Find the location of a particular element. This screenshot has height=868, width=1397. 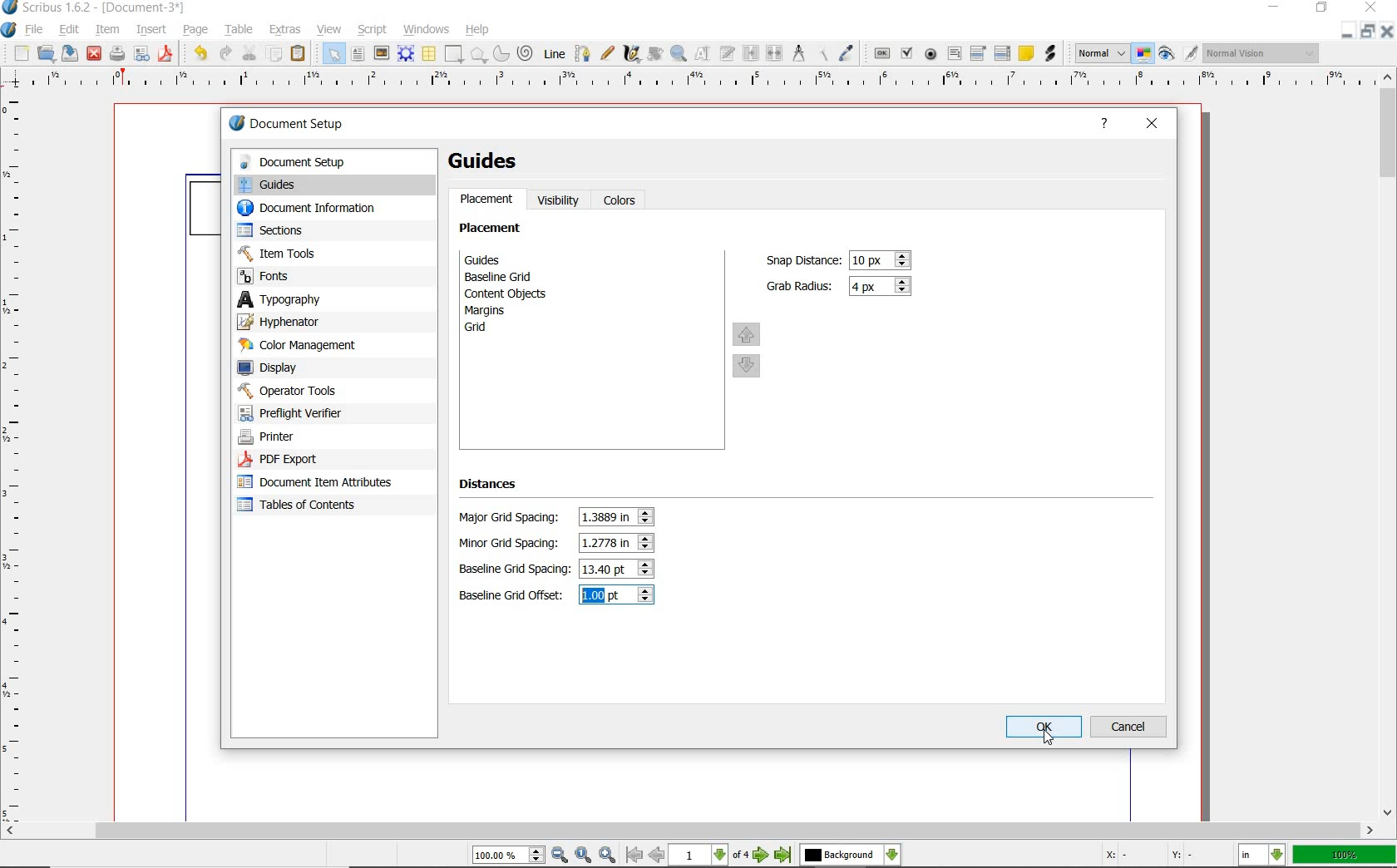

close is located at coordinates (1389, 31).